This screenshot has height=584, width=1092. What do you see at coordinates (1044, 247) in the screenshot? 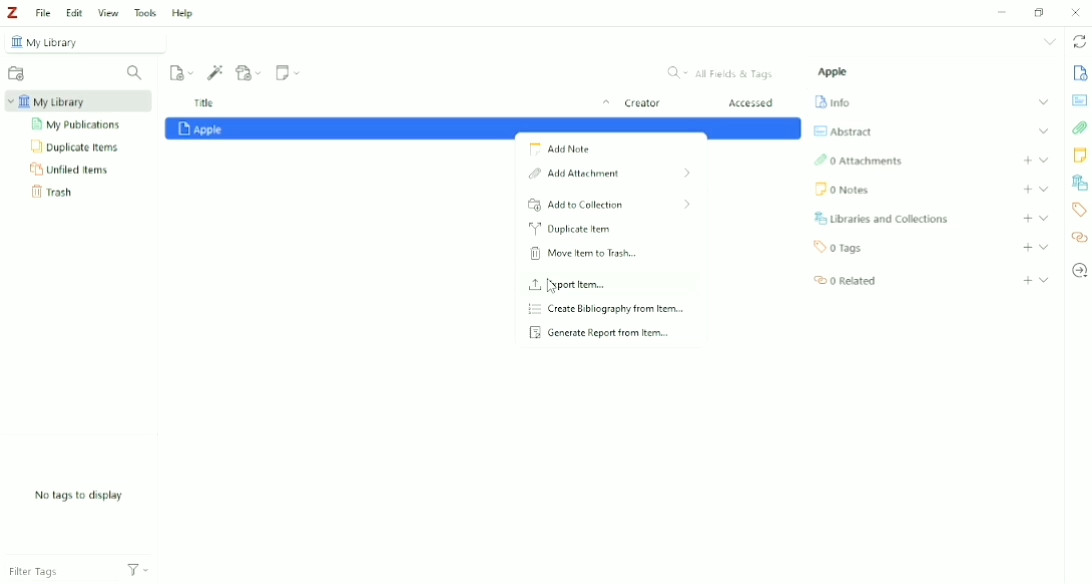
I see `Expand section` at bounding box center [1044, 247].